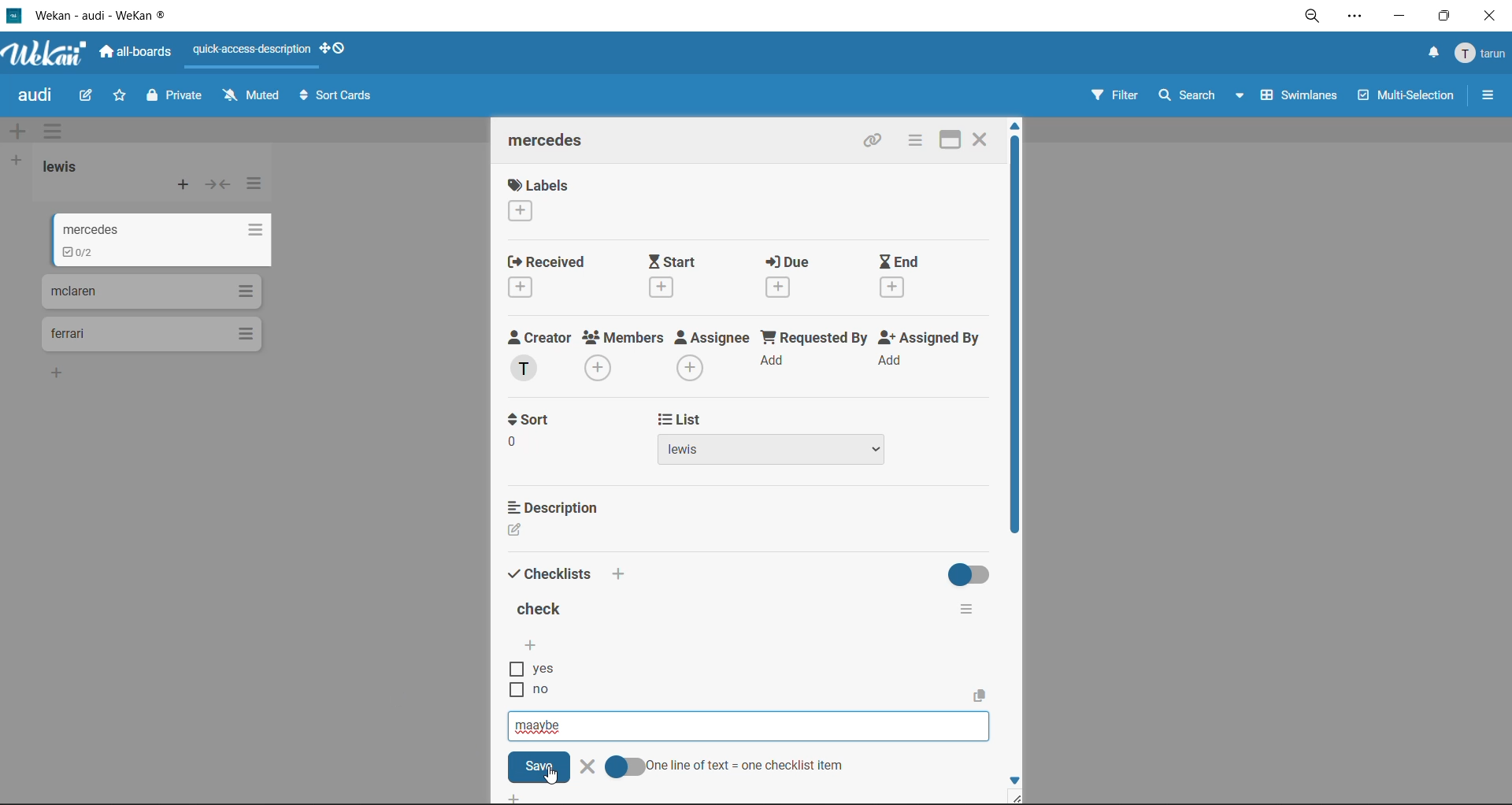  I want to click on Checbox, so click(514, 670).